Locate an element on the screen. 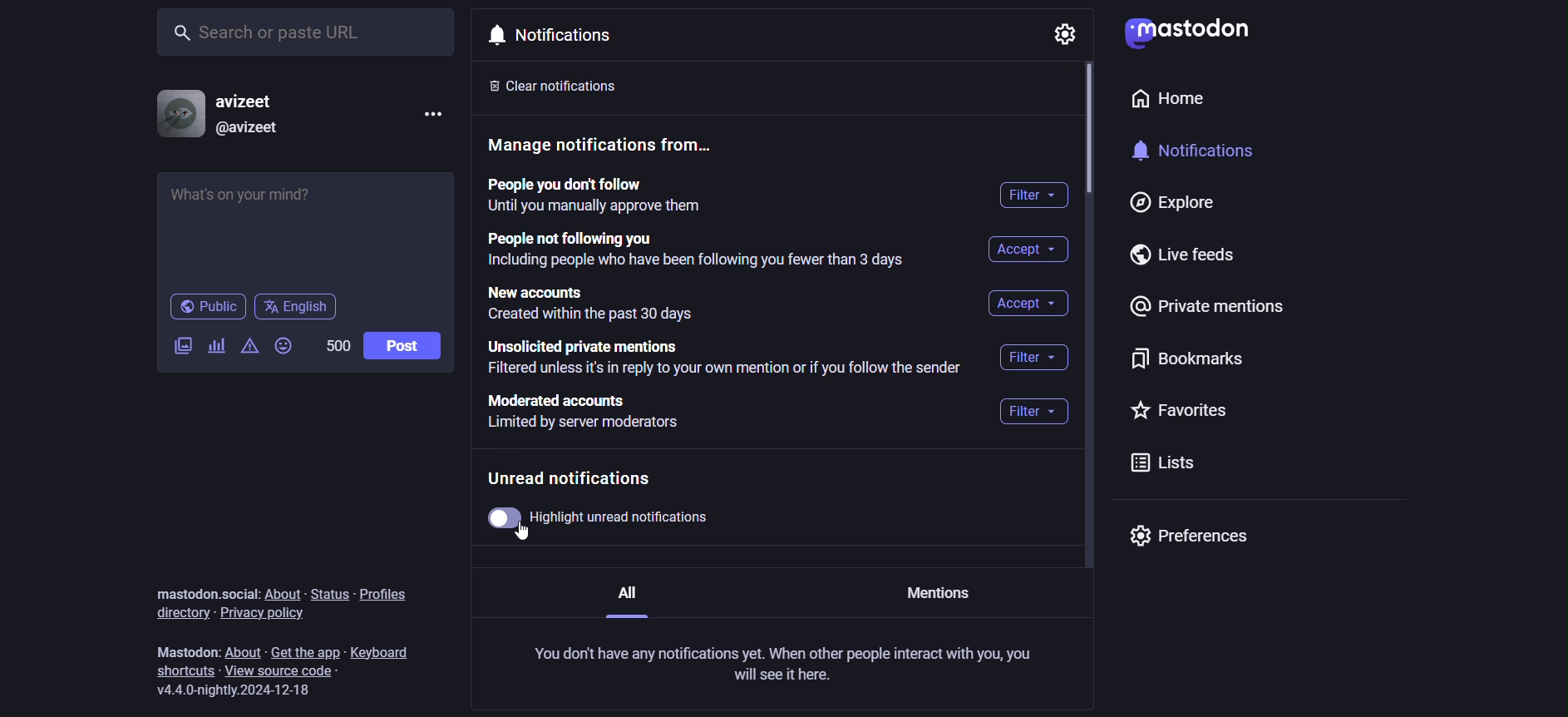 This screenshot has width=1568, height=717. private mentions is located at coordinates (1202, 314).